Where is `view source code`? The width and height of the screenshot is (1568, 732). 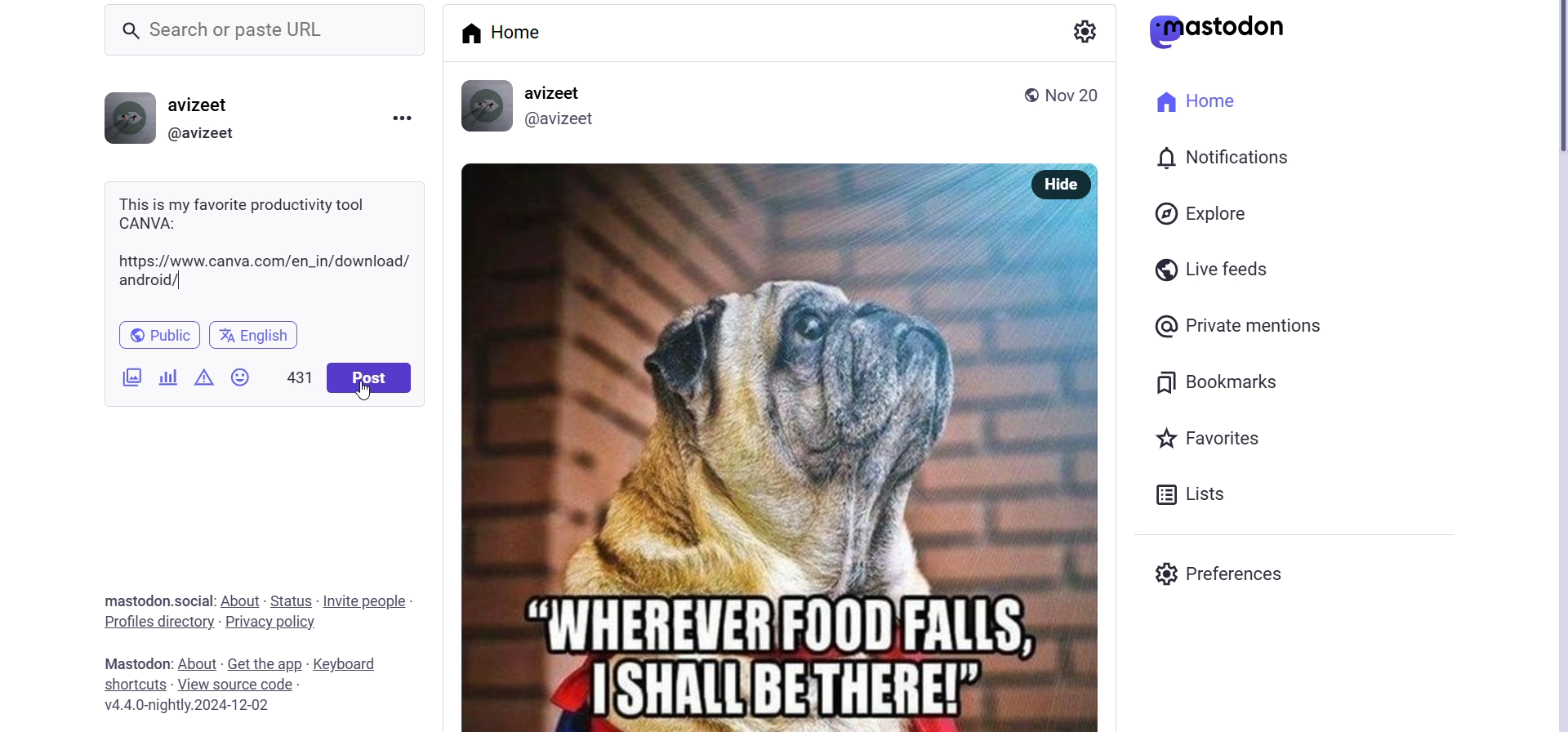
view source code is located at coordinates (236, 685).